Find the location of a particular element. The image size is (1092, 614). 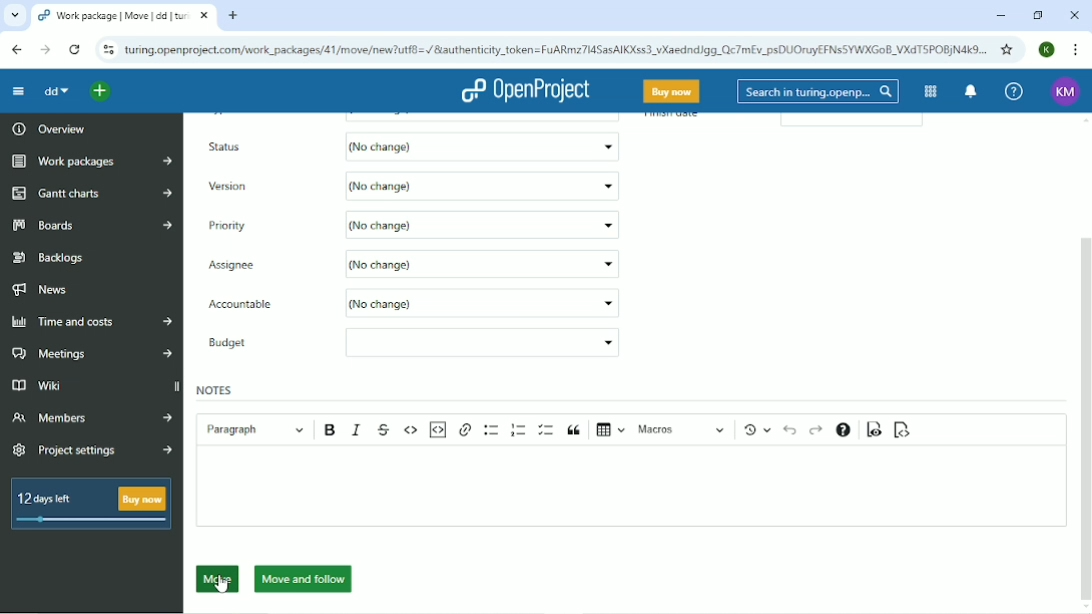

Close is located at coordinates (1073, 16).